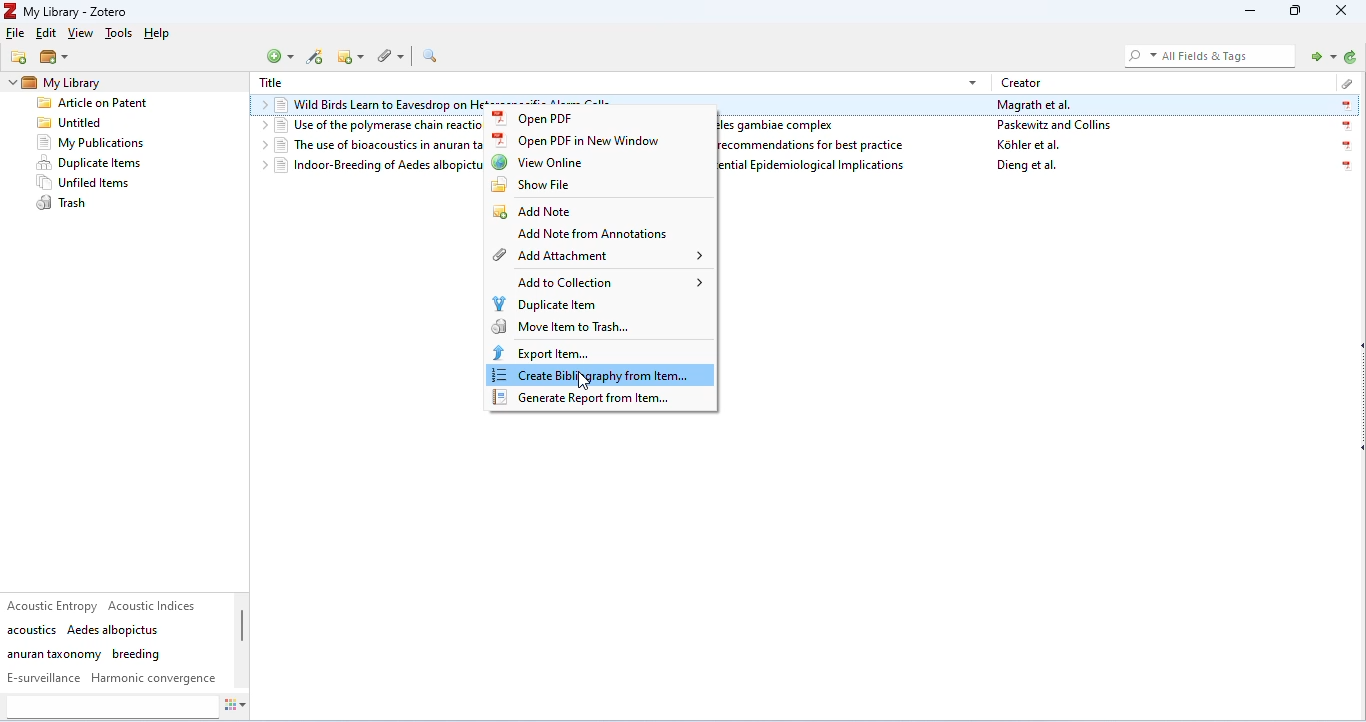 This screenshot has width=1366, height=722. What do you see at coordinates (602, 377) in the screenshot?
I see `create bibliography fromitem` at bounding box center [602, 377].